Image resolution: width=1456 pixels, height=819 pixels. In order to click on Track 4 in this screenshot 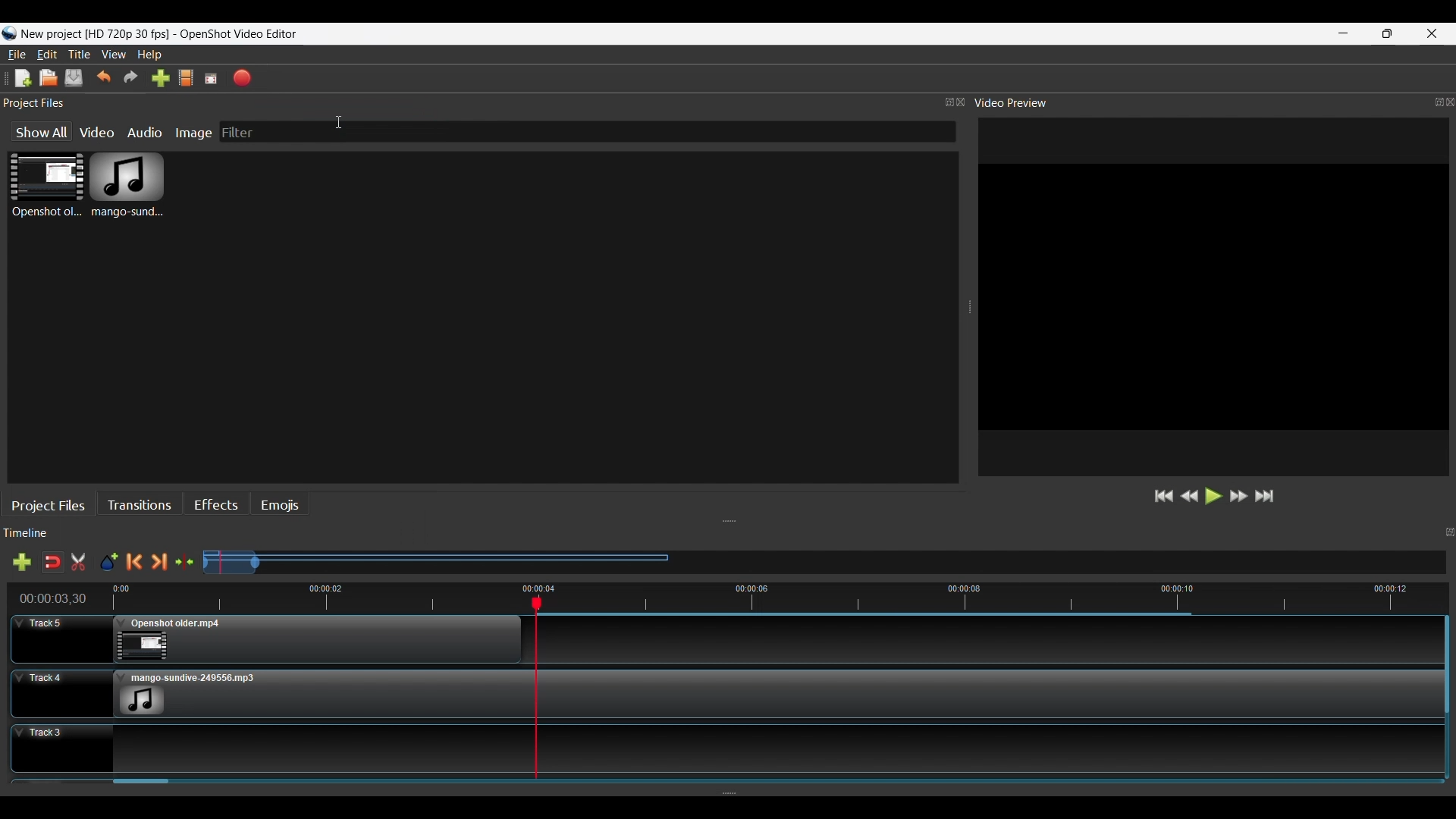, I will do `click(259, 689)`.